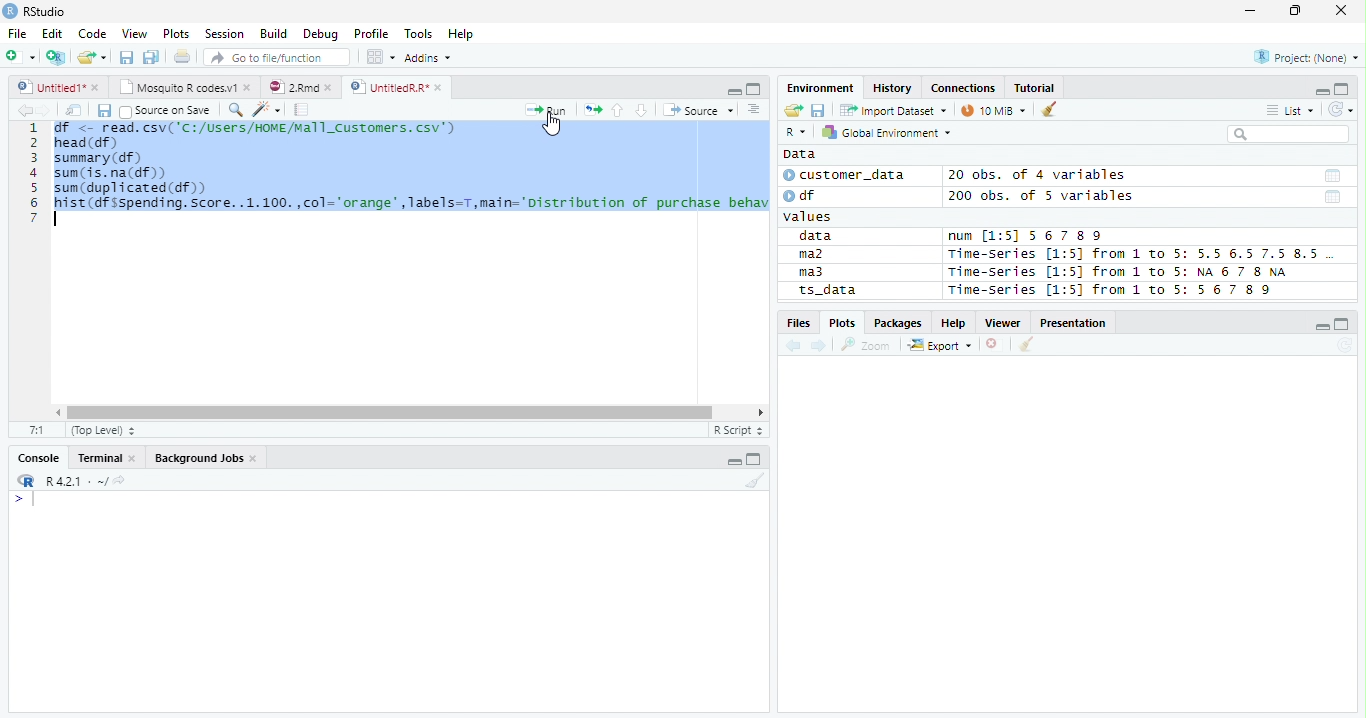 This screenshot has width=1366, height=718. I want to click on History, so click(894, 89).